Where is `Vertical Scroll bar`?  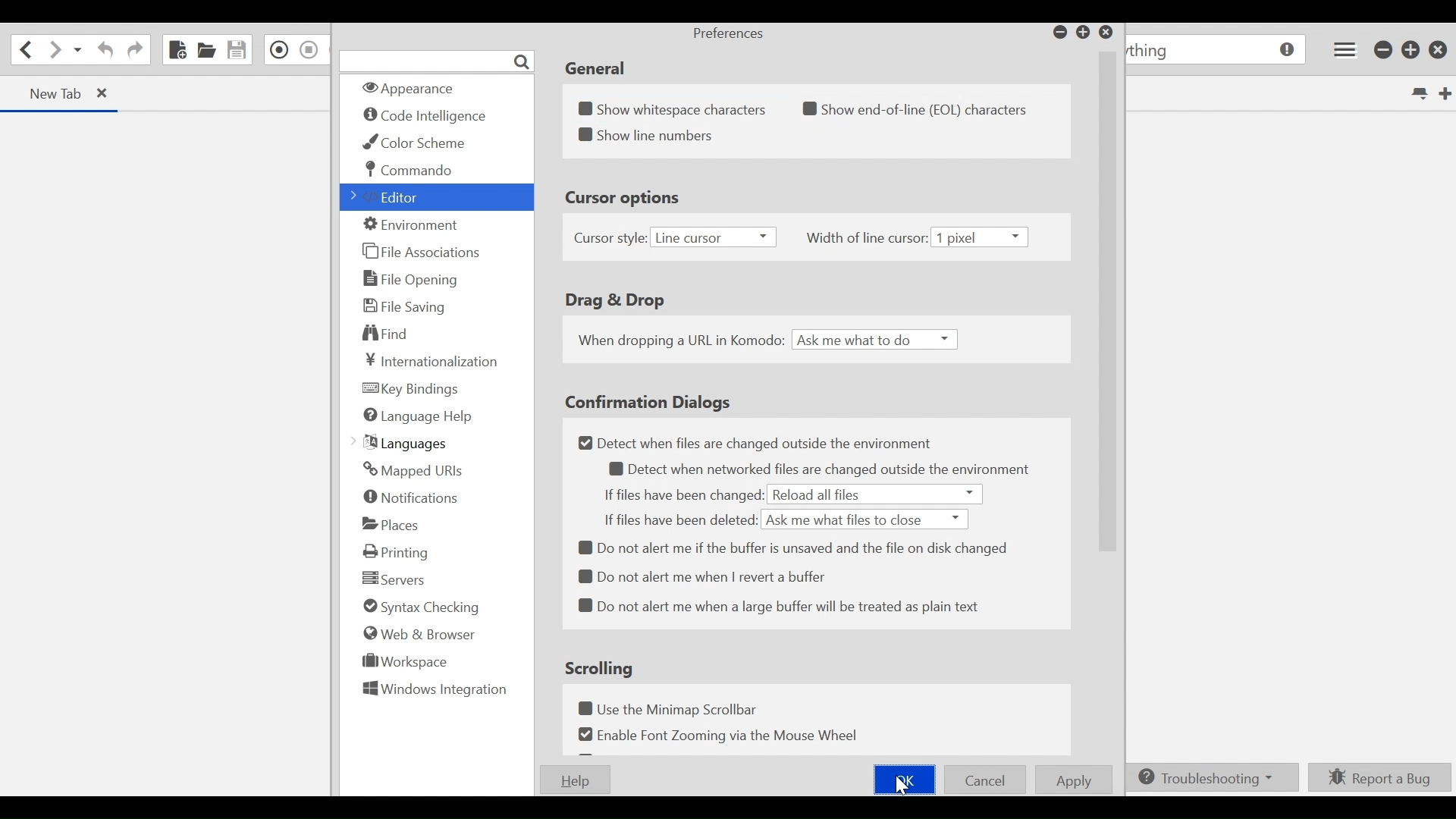
Vertical Scroll bar is located at coordinates (1105, 309).